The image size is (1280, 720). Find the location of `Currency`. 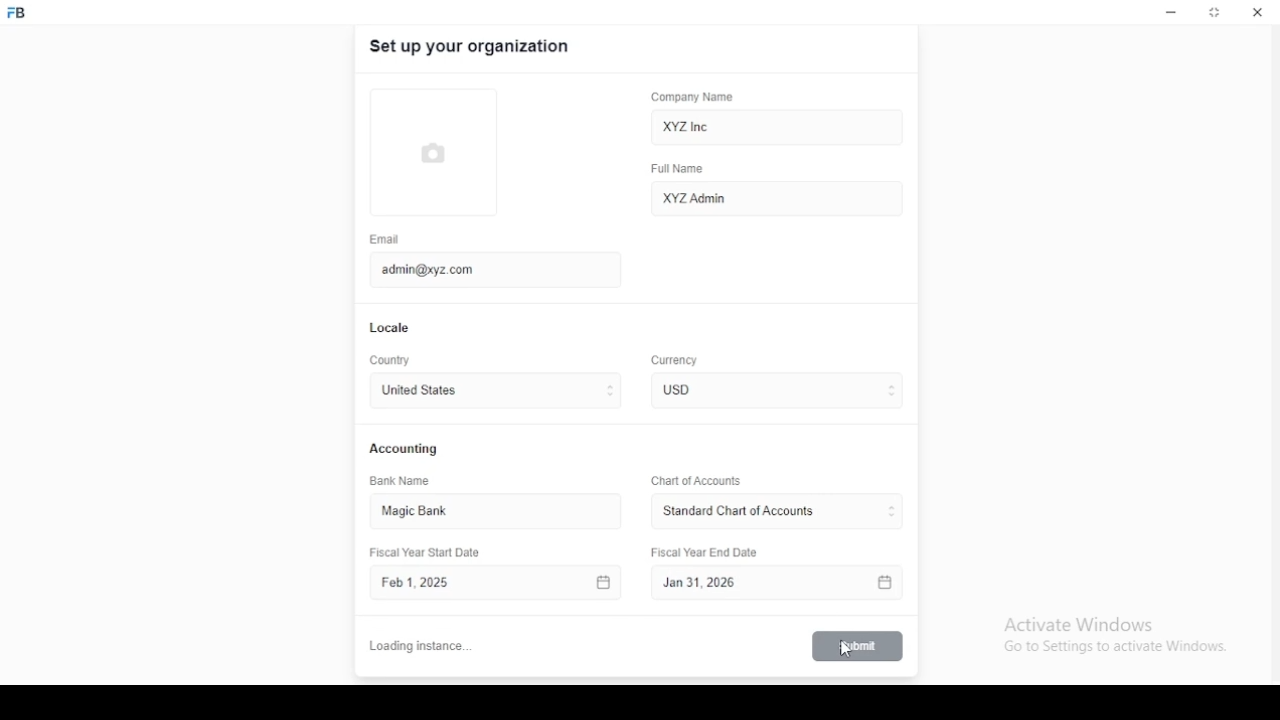

Currency is located at coordinates (675, 361).